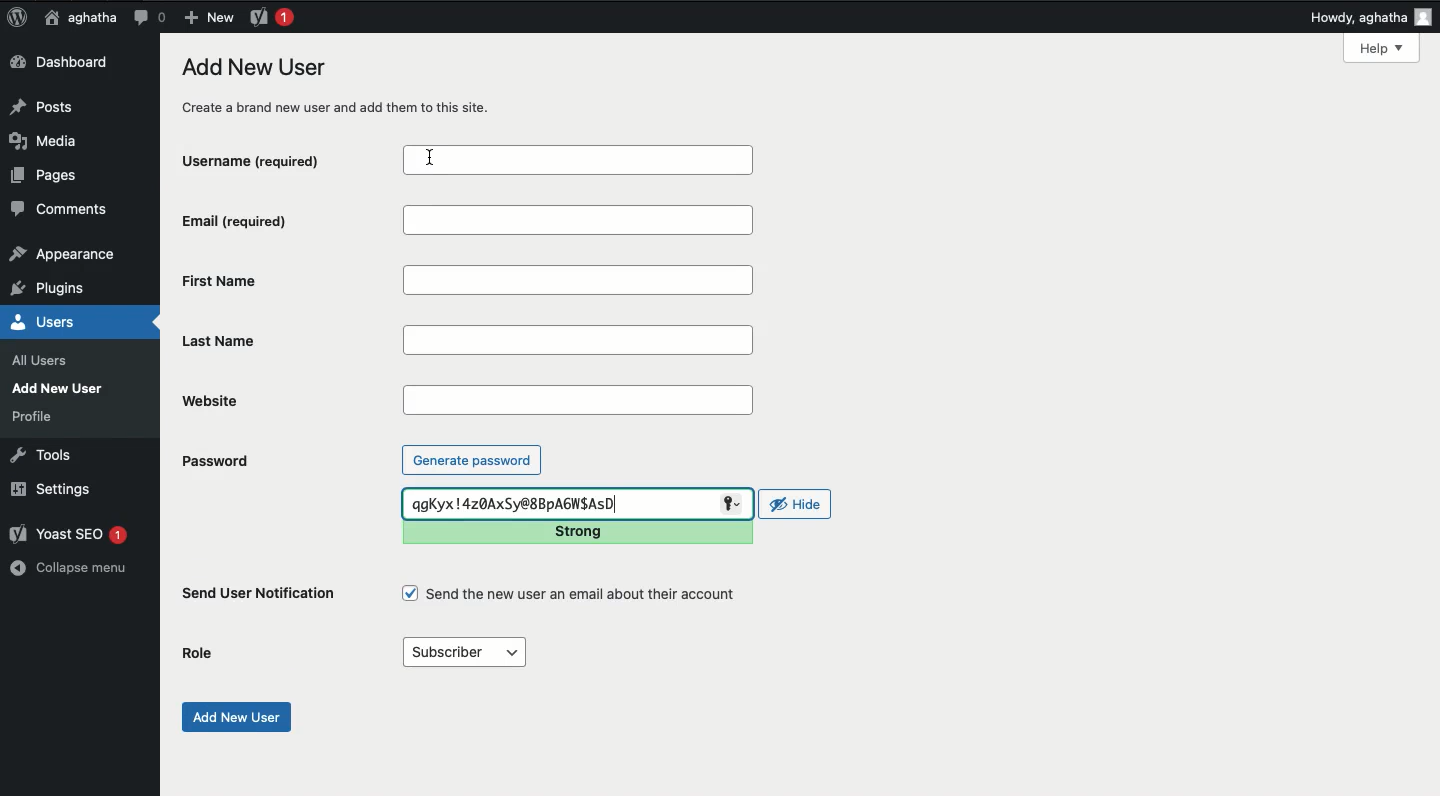 This screenshot has height=796, width=1440. What do you see at coordinates (17, 18) in the screenshot?
I see `Logo` at bounding box center [17, 18].